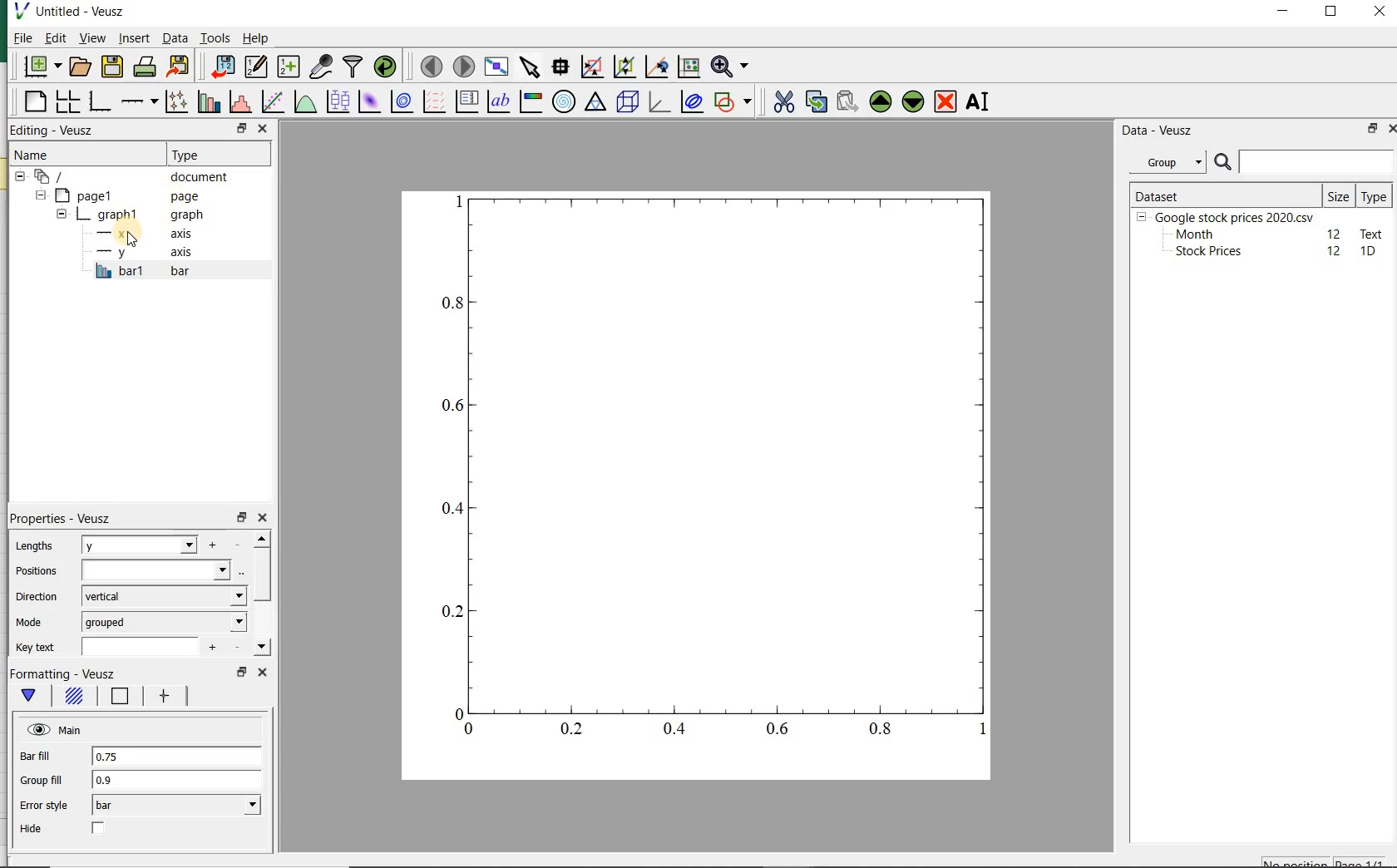 The height and width of the screenshot is (868, 1397). Describe the element at coordinates (733, 67) in the screenshot. I see `zoom function menus` at that location.